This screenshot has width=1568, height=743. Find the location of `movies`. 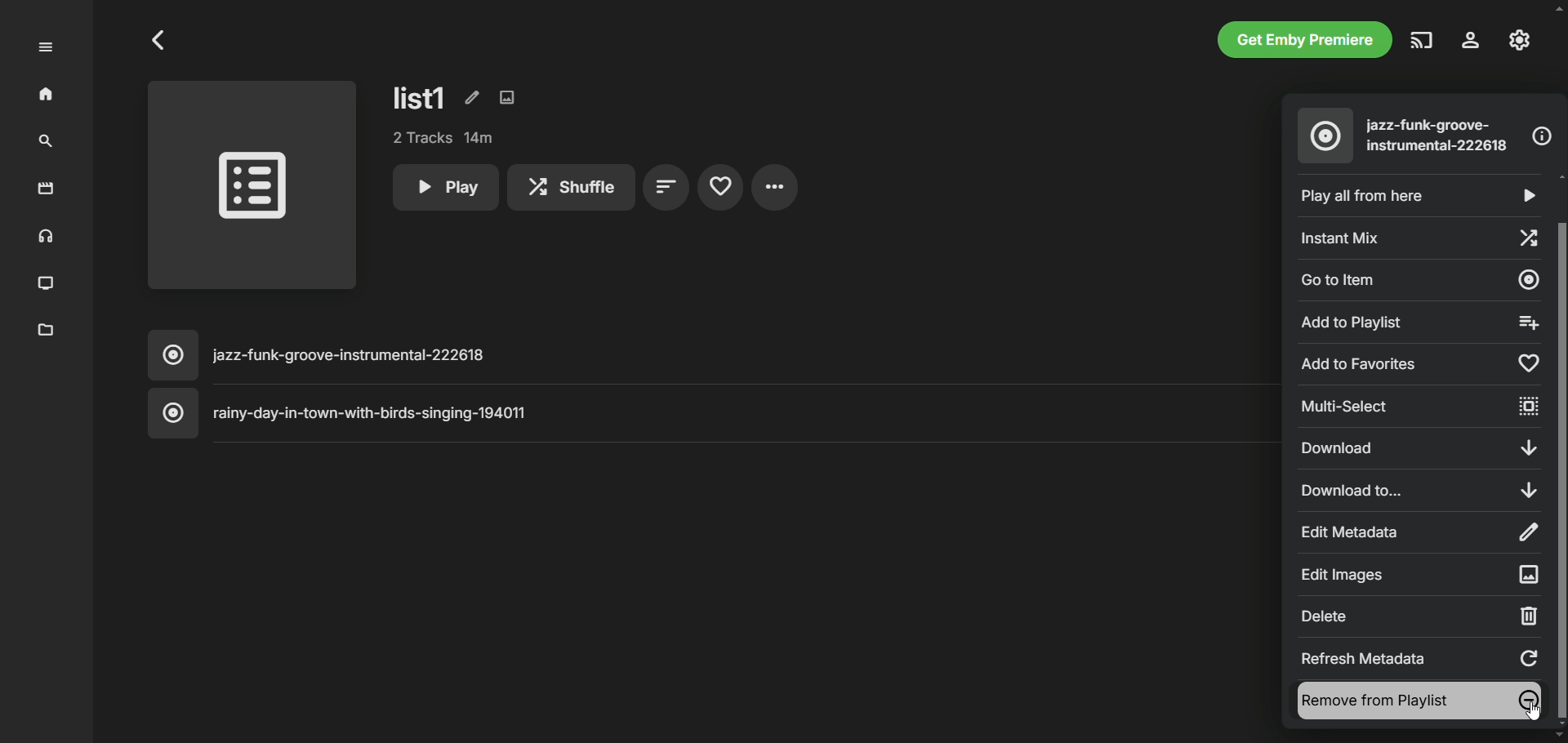

movies is located at coordinates (47, 189).